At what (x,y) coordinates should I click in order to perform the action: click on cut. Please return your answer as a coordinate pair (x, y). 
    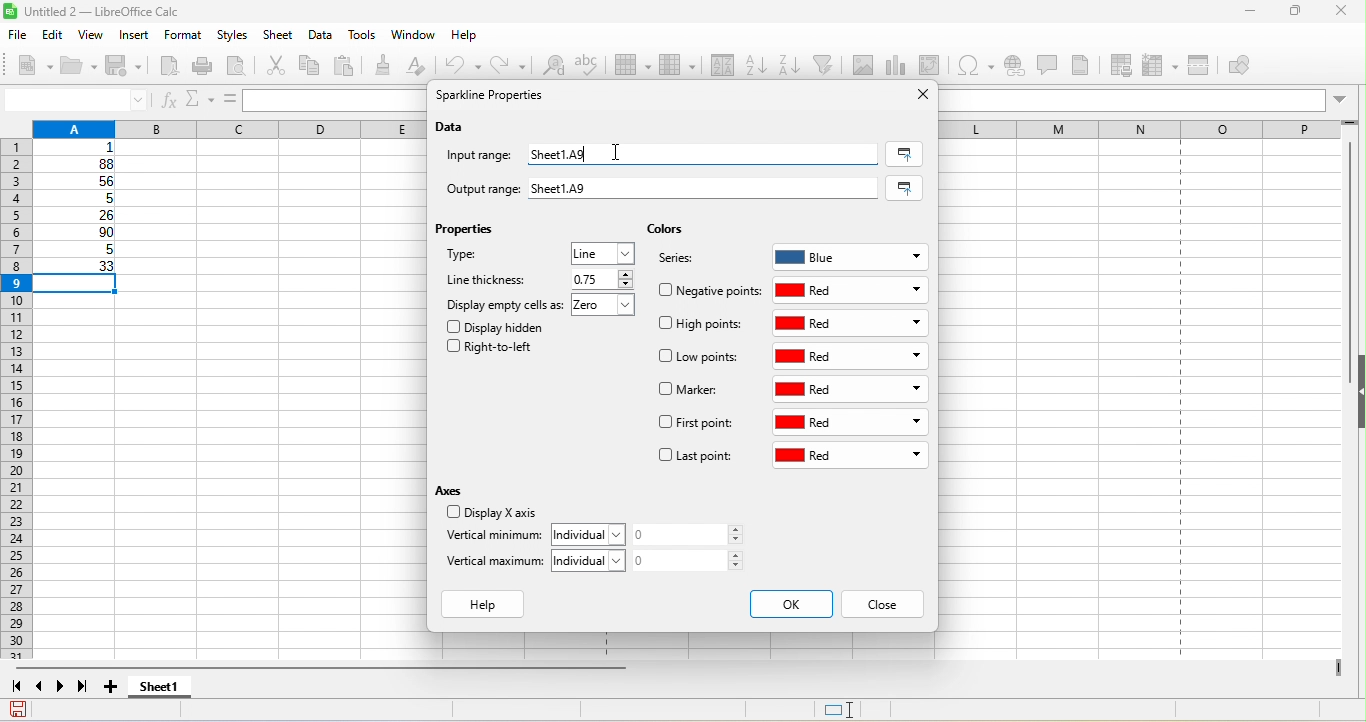
    Looking at the image, I should click on (277, 67).